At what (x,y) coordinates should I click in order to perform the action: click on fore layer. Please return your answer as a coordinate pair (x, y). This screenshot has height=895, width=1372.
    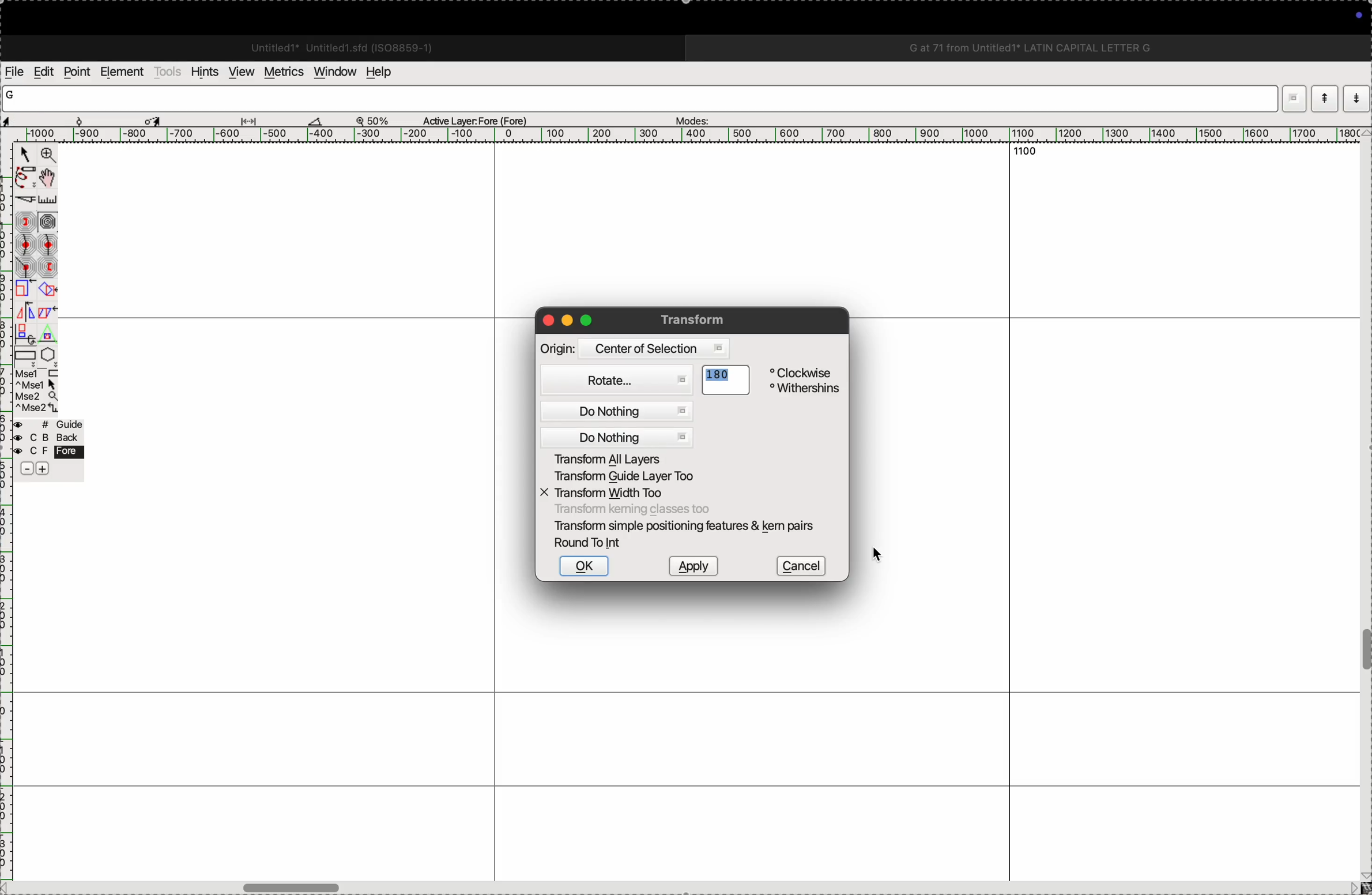
    Looking at the image, I should click on (48, 451).